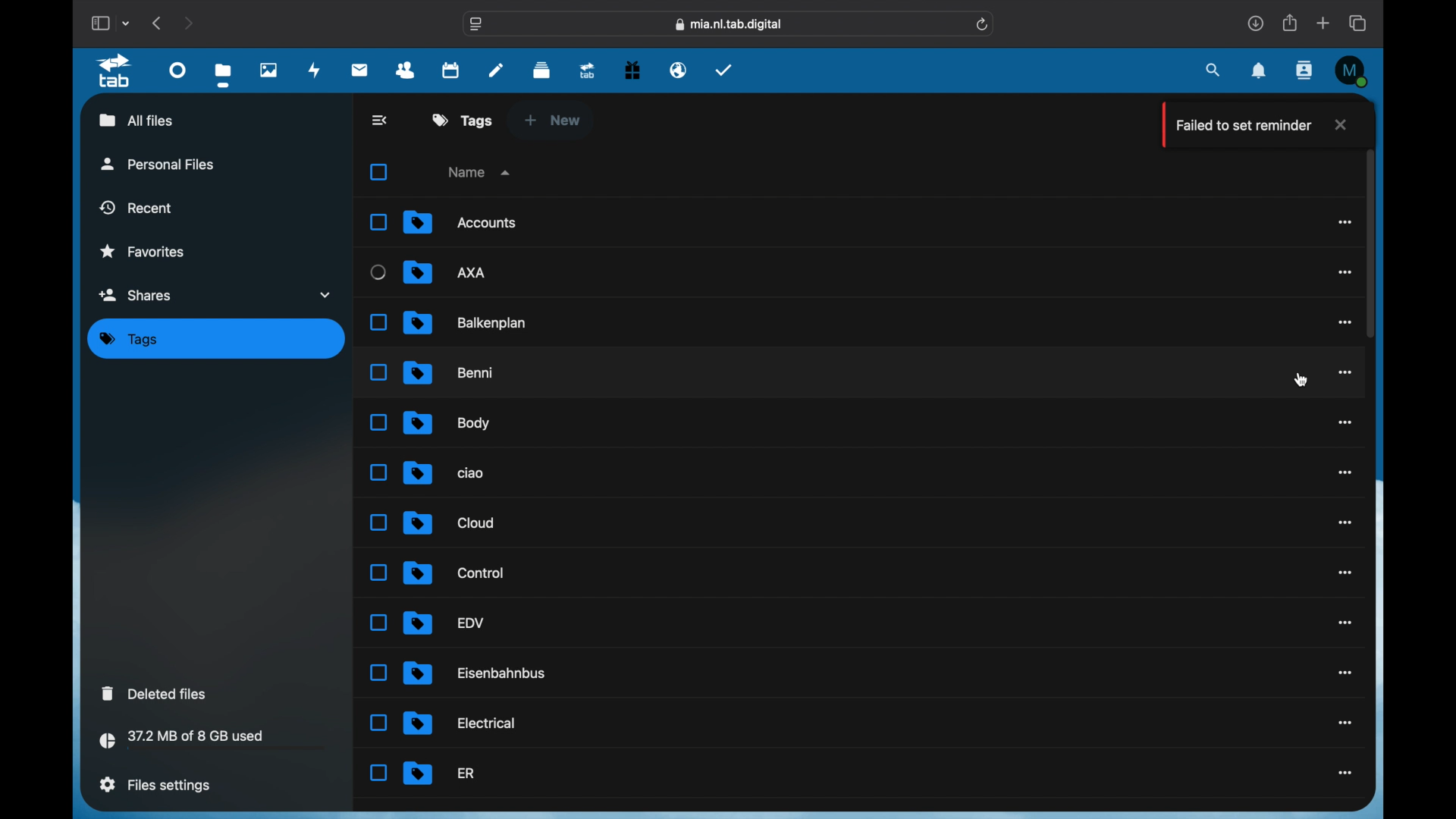 This screenshot has height=819, width=1456. What do you see at coordinates (378, 472) in the screenshot?
I see `Unselected Checkbox` at bounding box center [378, 472].